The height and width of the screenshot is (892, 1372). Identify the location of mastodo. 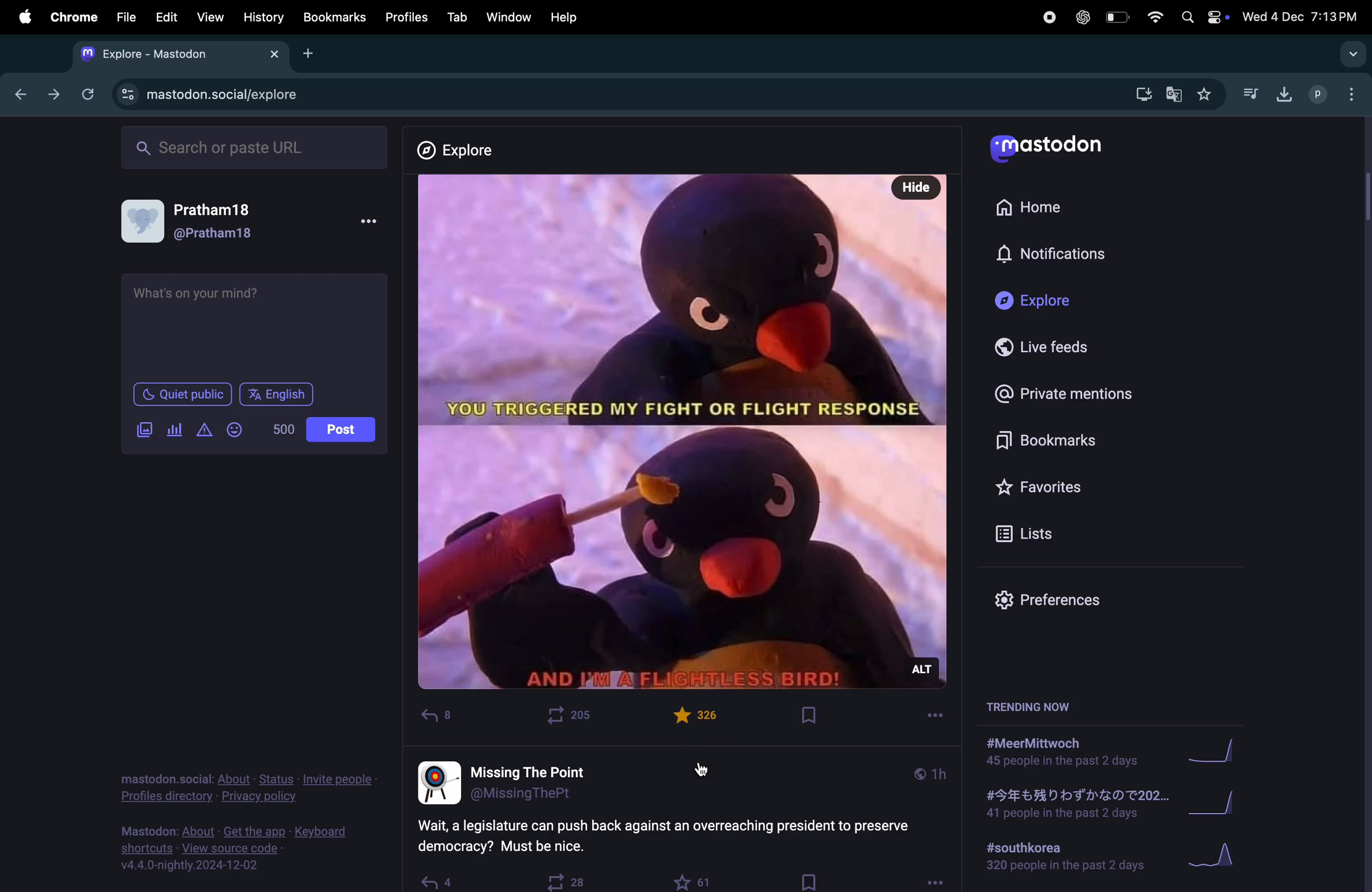
(1055, 145).